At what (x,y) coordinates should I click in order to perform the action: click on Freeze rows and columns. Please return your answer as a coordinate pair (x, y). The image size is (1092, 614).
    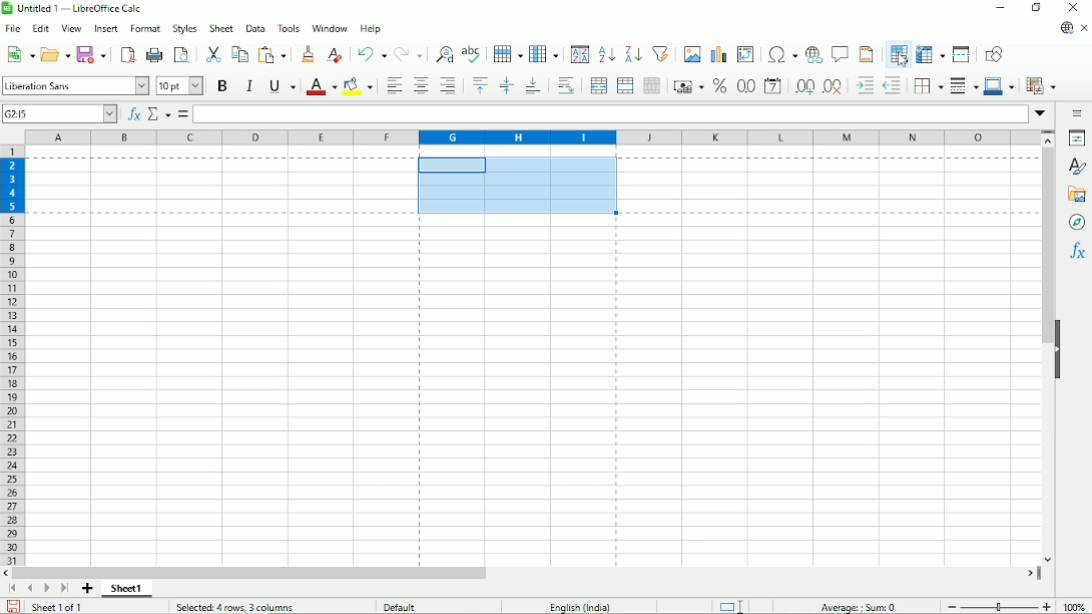
    Looking at the image, I should click on (930, 54).